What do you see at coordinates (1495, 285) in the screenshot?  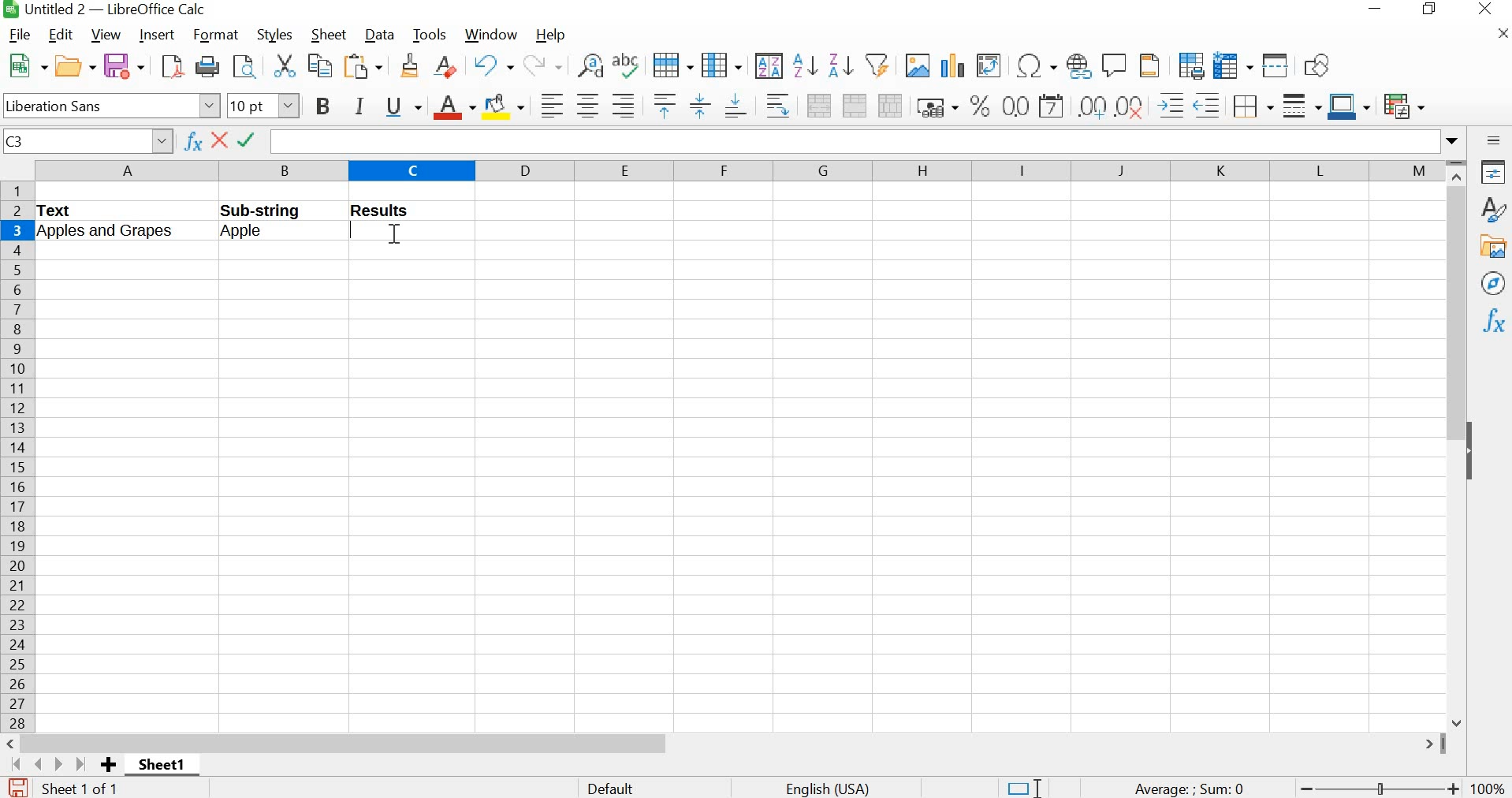 I see `navigator` at bounding box center [1495, 285].